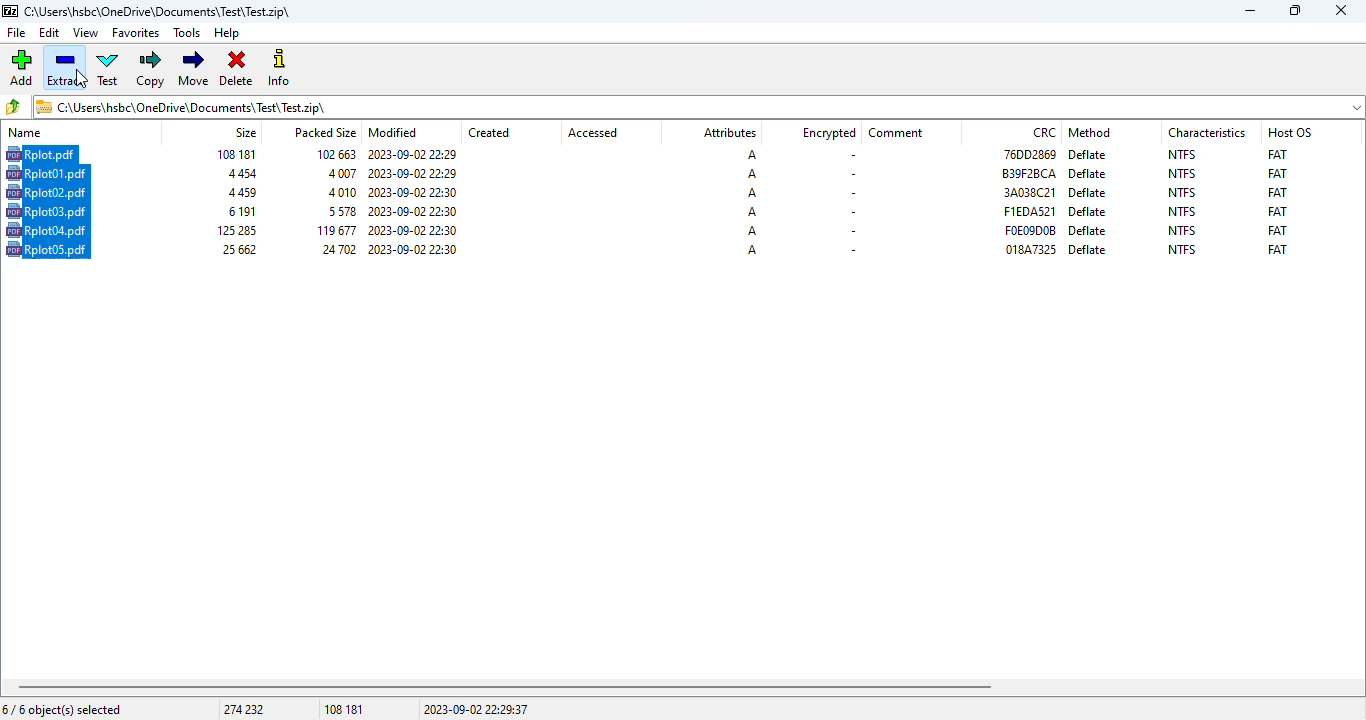 The height and width of the screenshot is (720, 1366). What do you see at coordinates (850, 156) in the screenshot?
I see `-` at bounding box center [850, 156].